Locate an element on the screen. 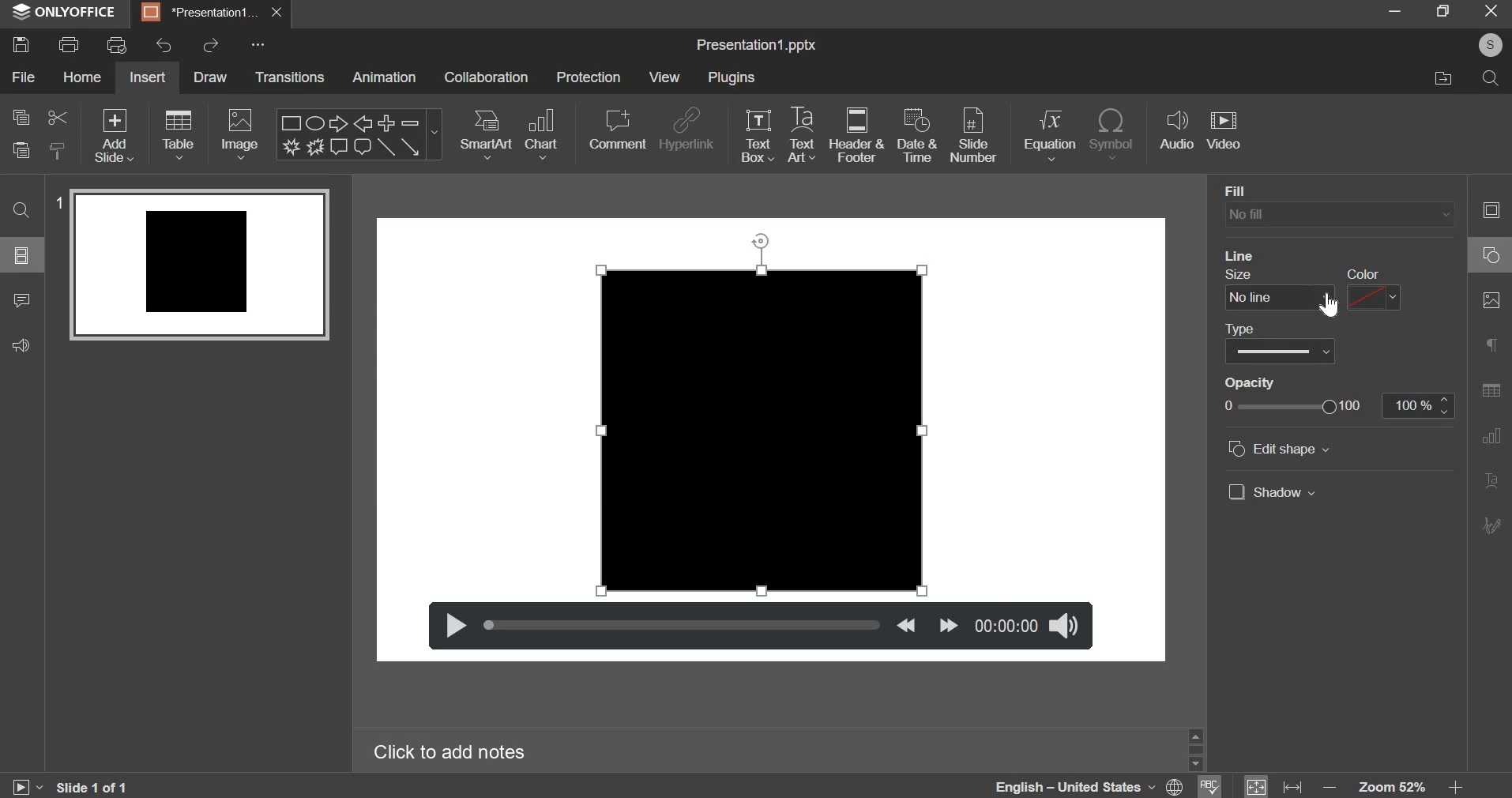 The image size is (1512, 798). redo is located at coordinates (212, 46).